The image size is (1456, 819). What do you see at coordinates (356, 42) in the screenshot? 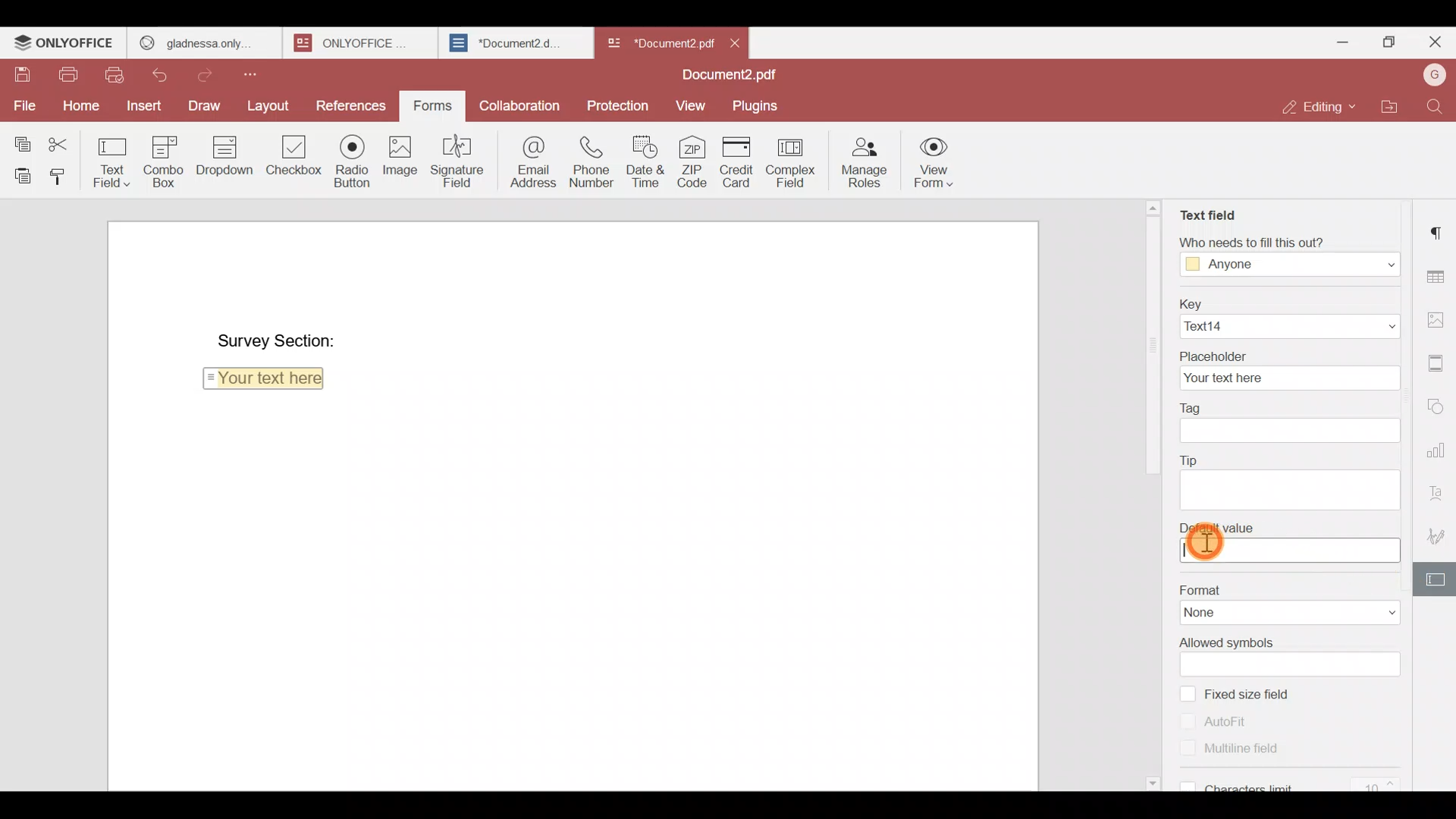
I see `ONLYOFFICE` at bounding box center [356, 42].